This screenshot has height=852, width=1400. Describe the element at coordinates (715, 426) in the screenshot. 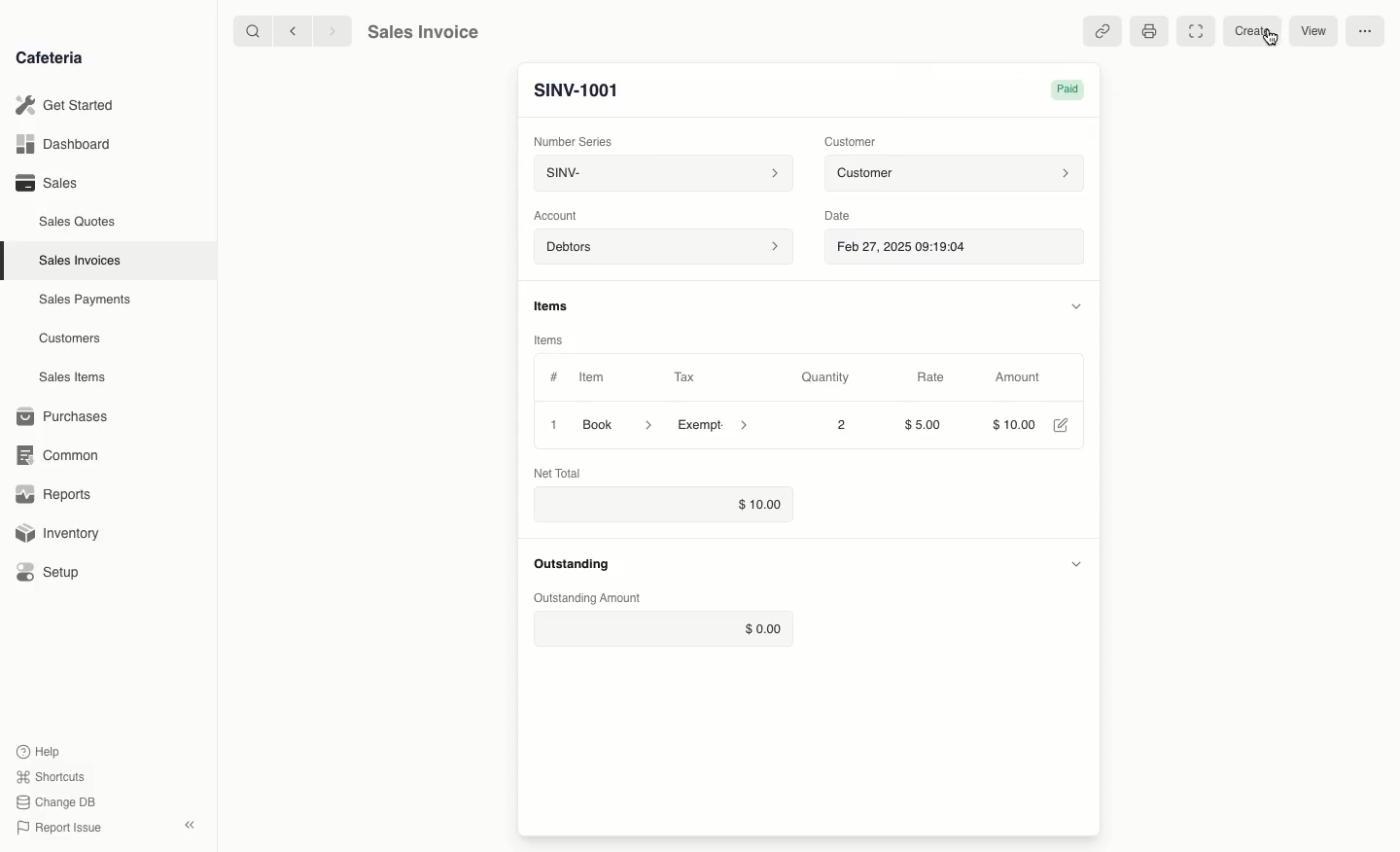

I see `Exempt >` at that location.